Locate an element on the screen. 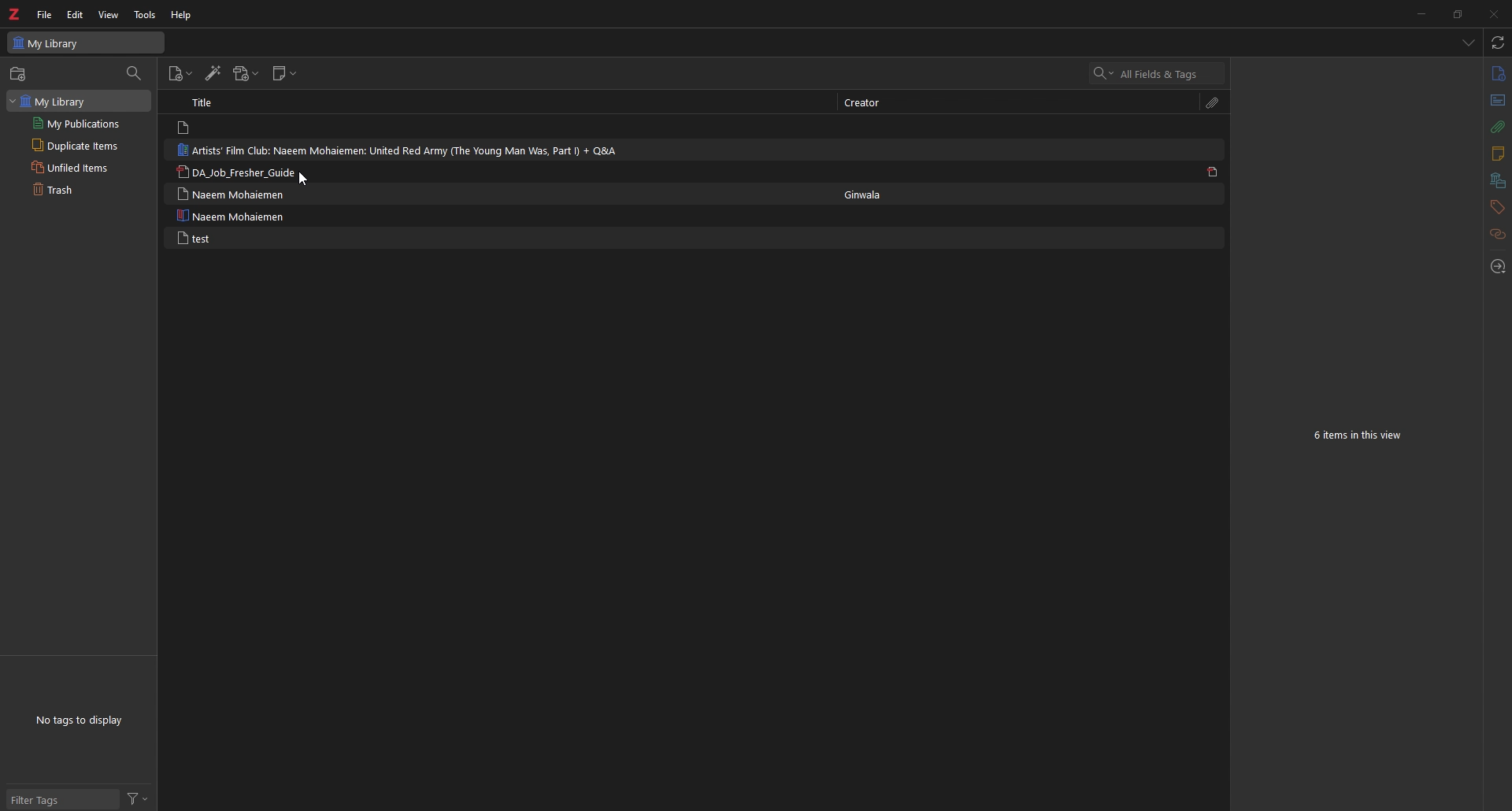 This screenshot has width=1512, height=811. resize is located at coordinates (1458, 13).